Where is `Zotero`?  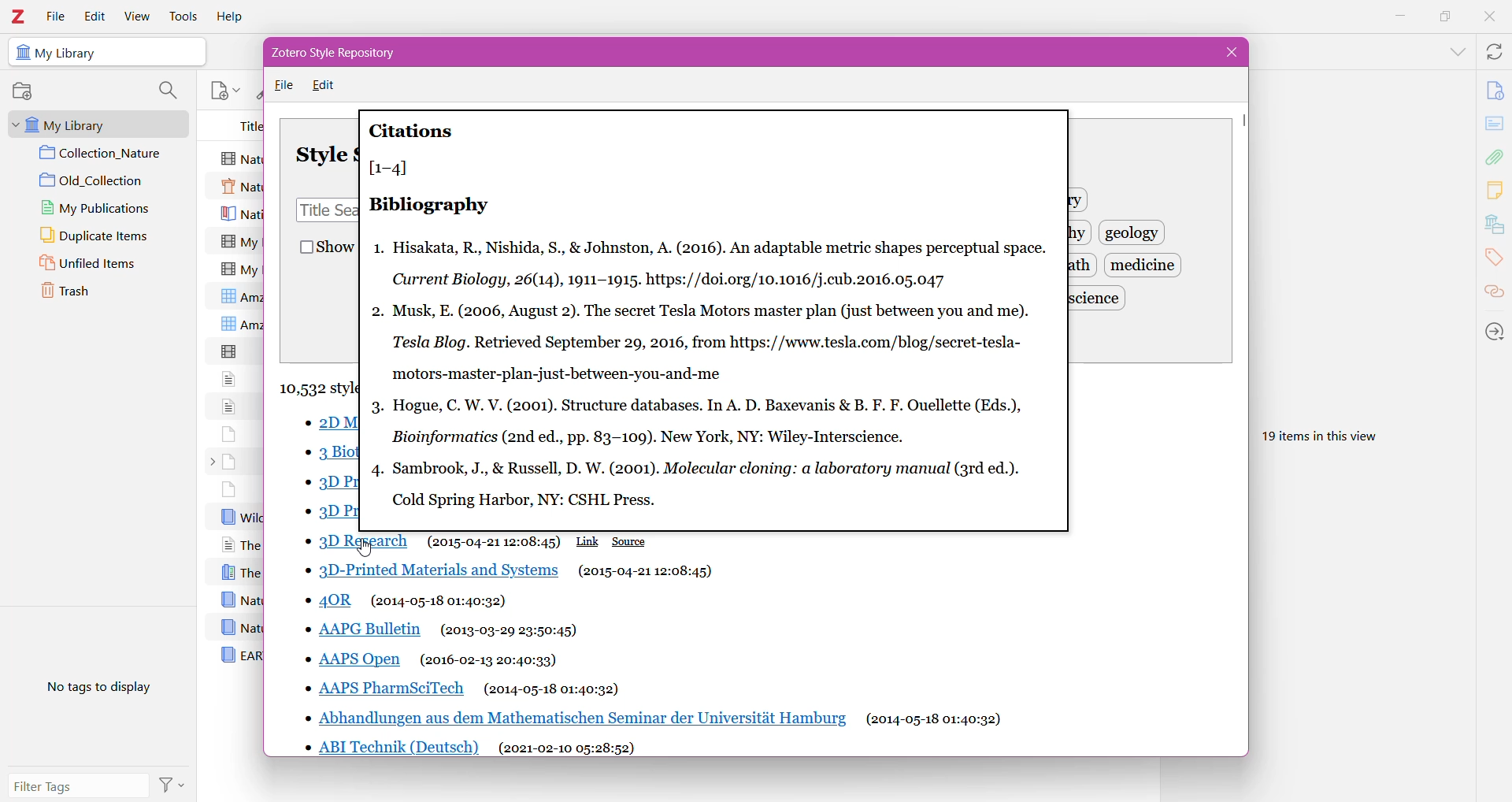 Zotero is located at coordinates (20, 16).